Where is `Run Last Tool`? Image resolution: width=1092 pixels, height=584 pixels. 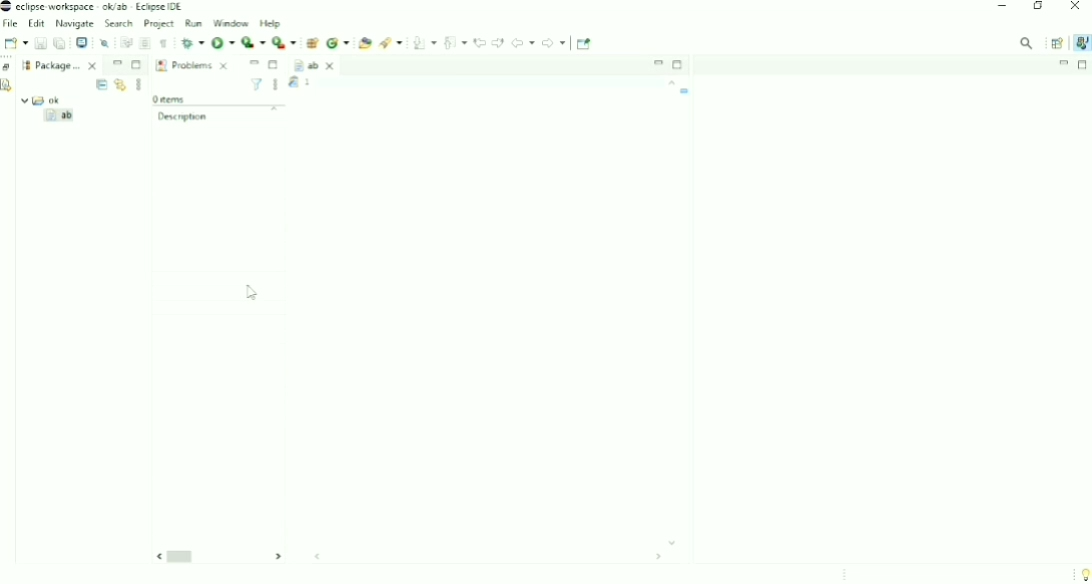 Run Last Tool is located at coordinates (284, 42).